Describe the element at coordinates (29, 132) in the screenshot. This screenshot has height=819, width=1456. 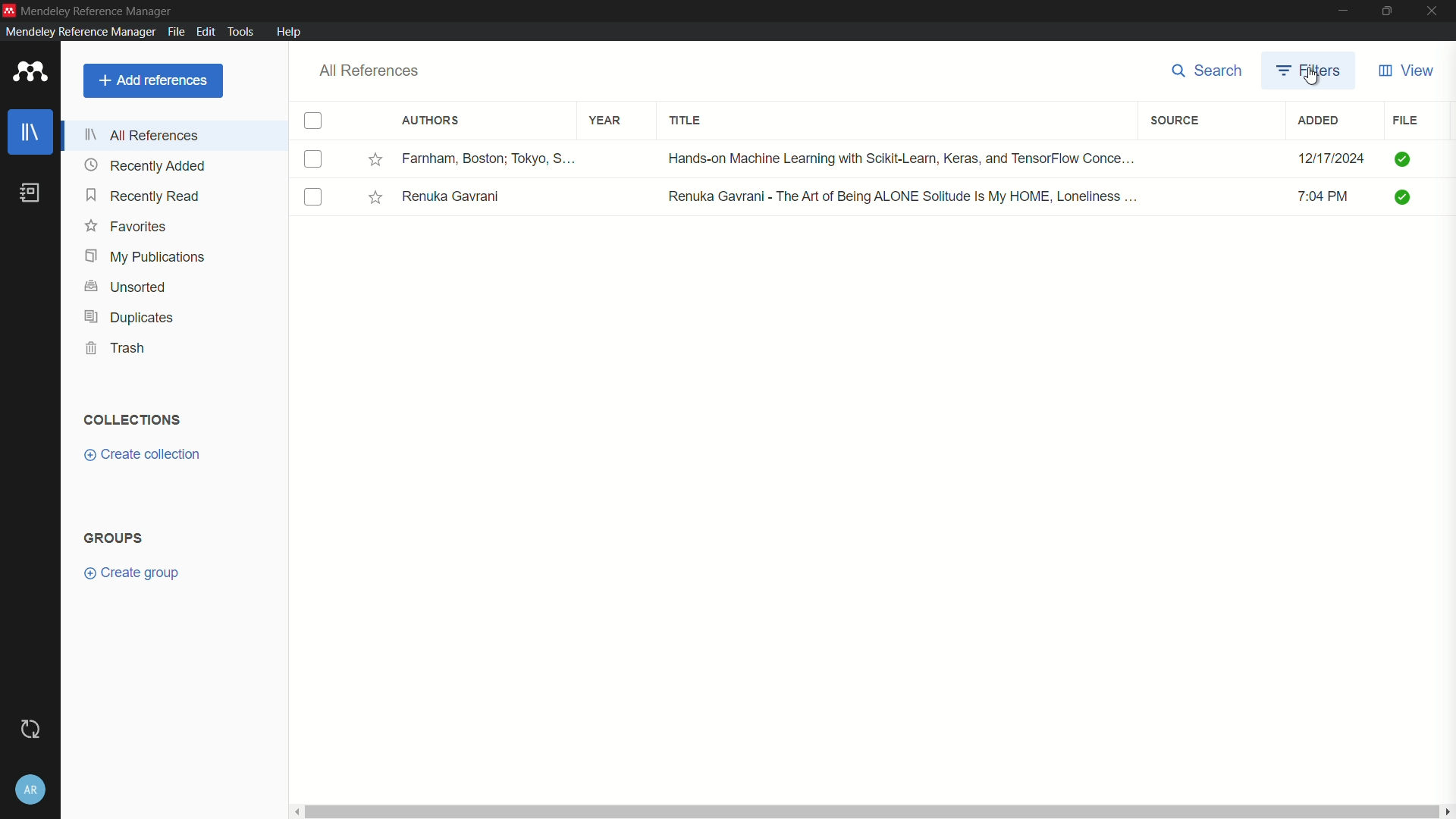
I see `library` at that location.